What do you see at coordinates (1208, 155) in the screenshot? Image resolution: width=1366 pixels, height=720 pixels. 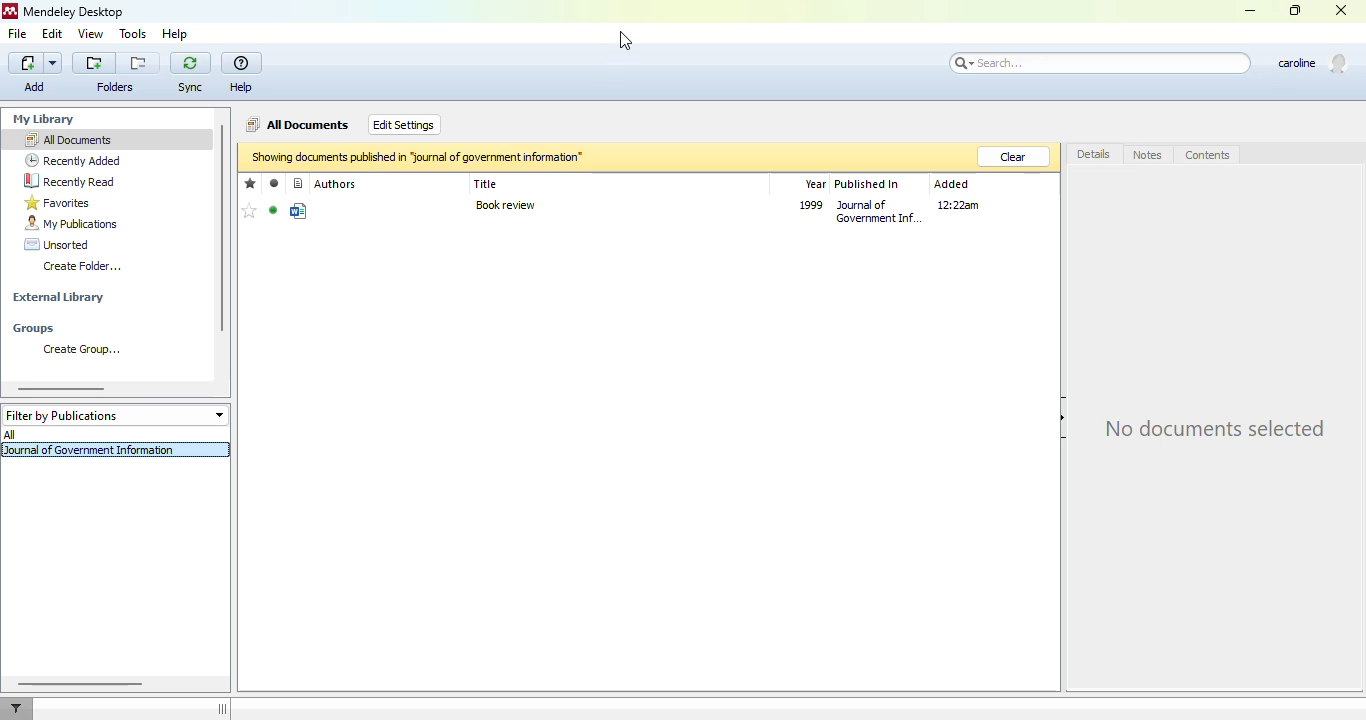 I see `contents` at bounding box center [1208, 155].